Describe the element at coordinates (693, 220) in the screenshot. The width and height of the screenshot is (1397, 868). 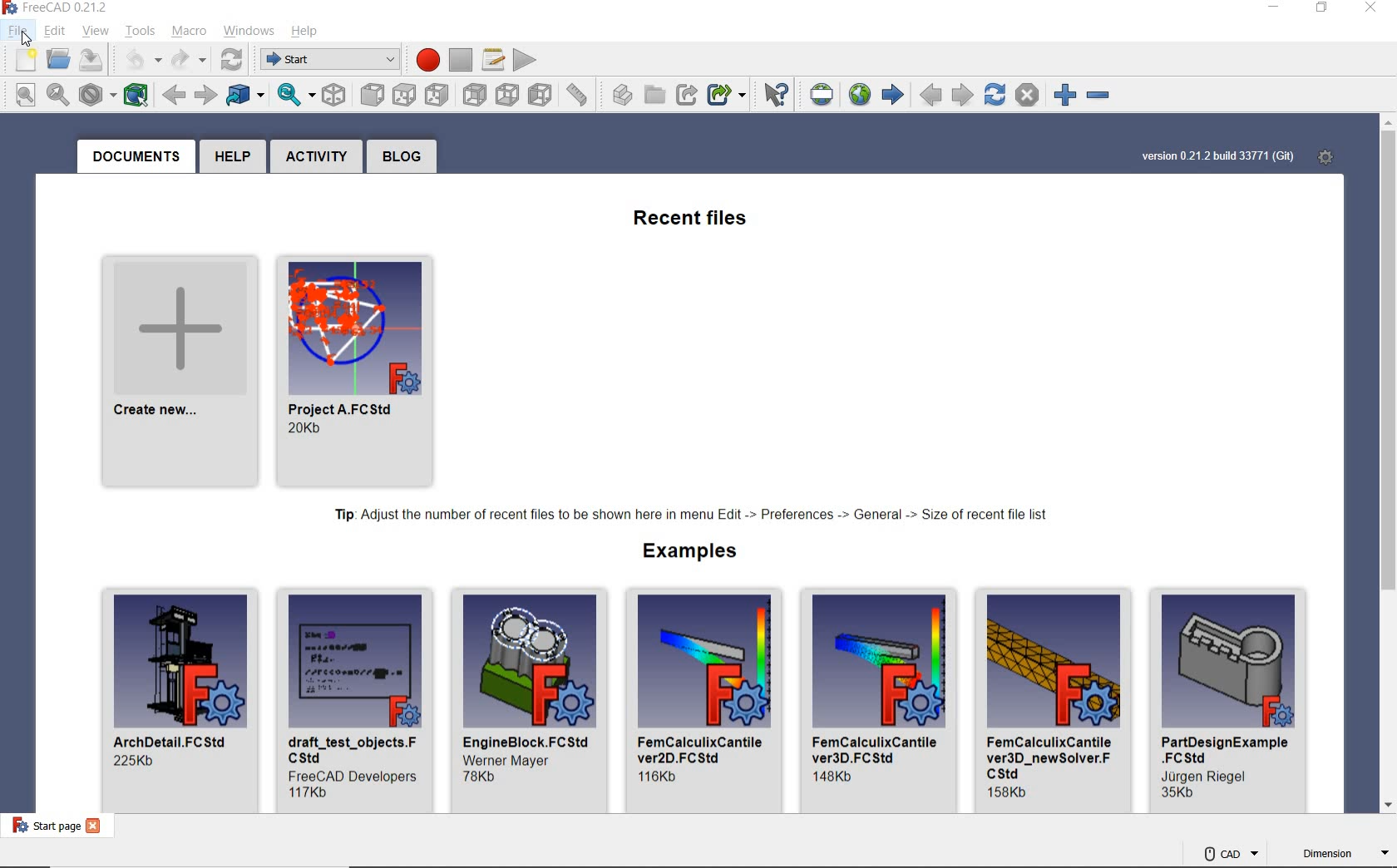
I see `RECENTFILES` at that location.